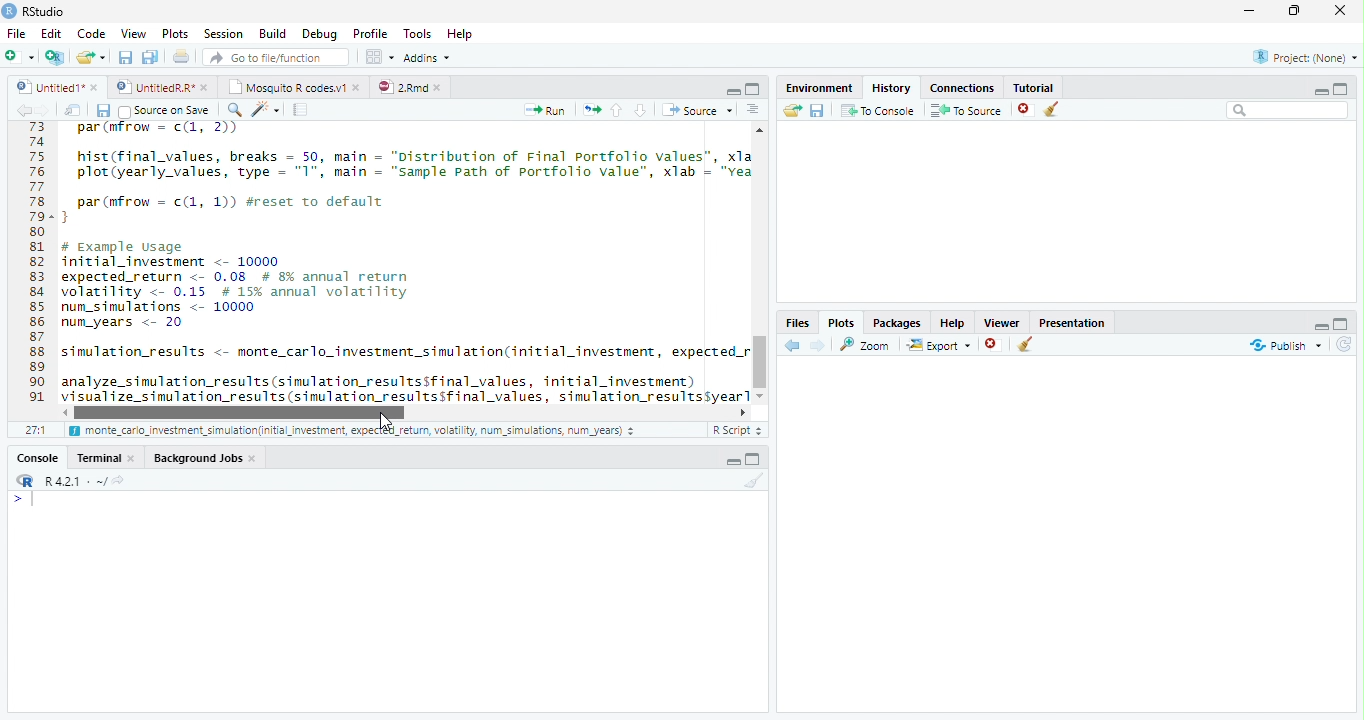 The width and height of the screenshot is (1364, 720). Describe the element at coordinates (798, 322) in the screenshot. I see `Files` at that location.